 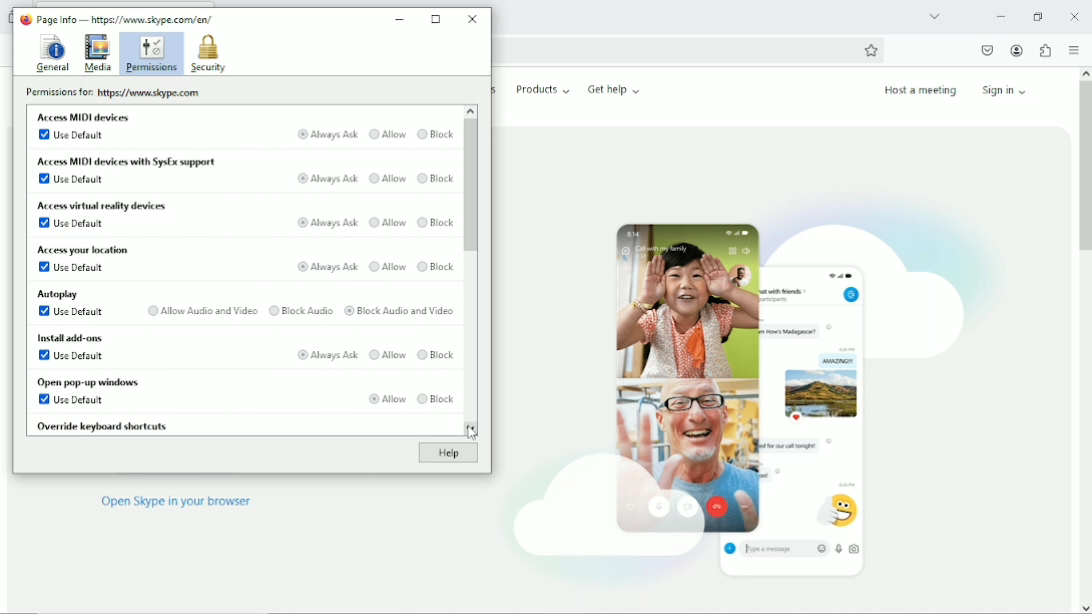 What do you see at coordinates (745, 387) in the screenshot?
I see `Videocall/chat` at bounding box center [745, 387].